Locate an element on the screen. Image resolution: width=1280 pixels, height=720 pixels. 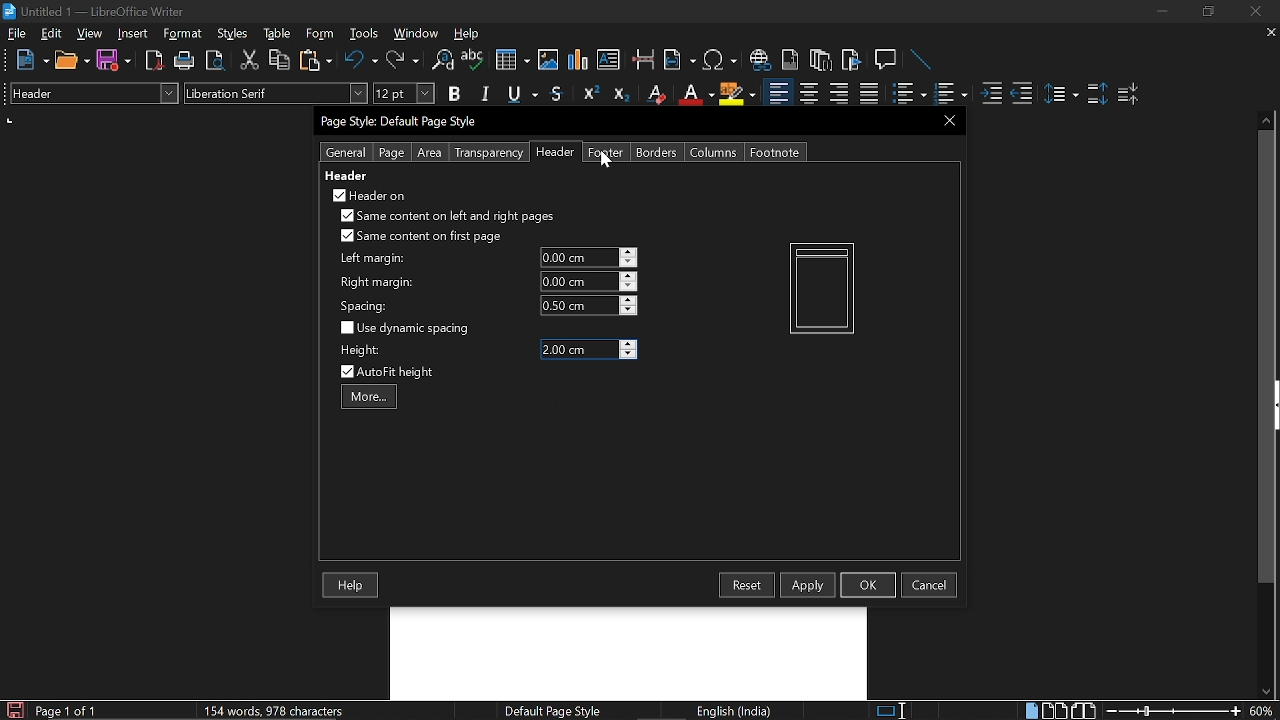
Insert page break is located at coordinates (642, 60).